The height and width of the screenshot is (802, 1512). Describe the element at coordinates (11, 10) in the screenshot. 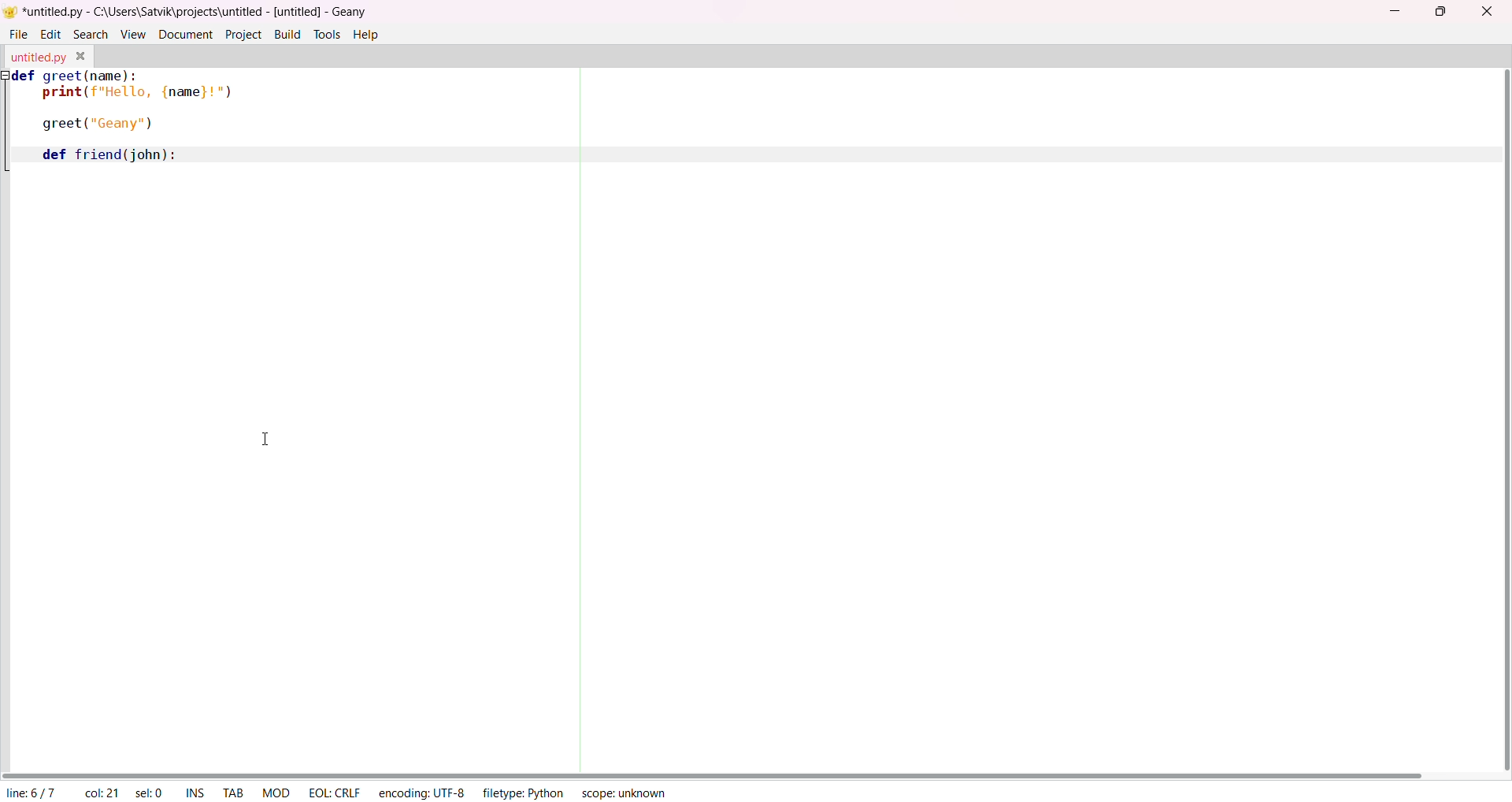

I see `logo` at that location.